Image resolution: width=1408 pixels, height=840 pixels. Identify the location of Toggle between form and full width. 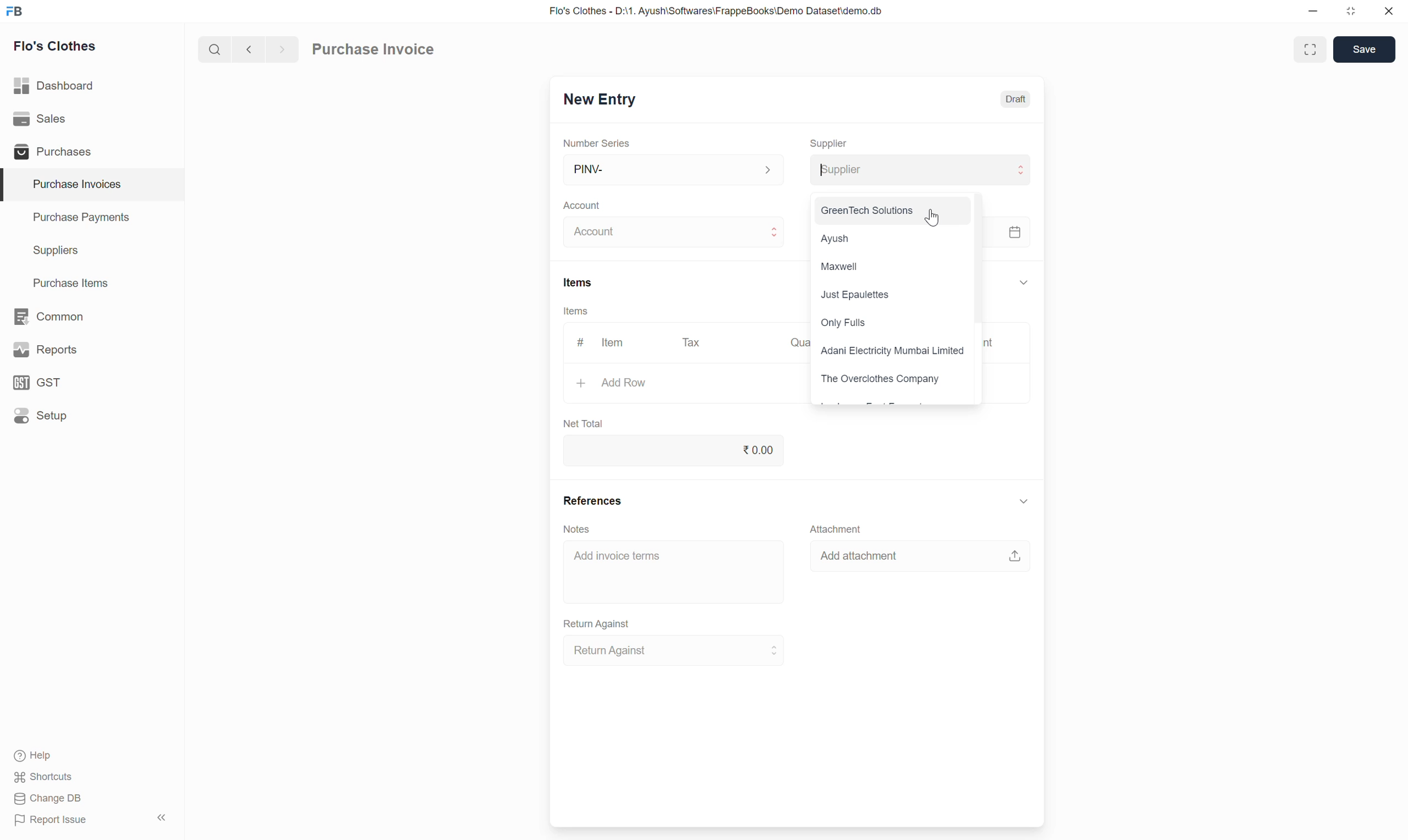
(1311, 49).